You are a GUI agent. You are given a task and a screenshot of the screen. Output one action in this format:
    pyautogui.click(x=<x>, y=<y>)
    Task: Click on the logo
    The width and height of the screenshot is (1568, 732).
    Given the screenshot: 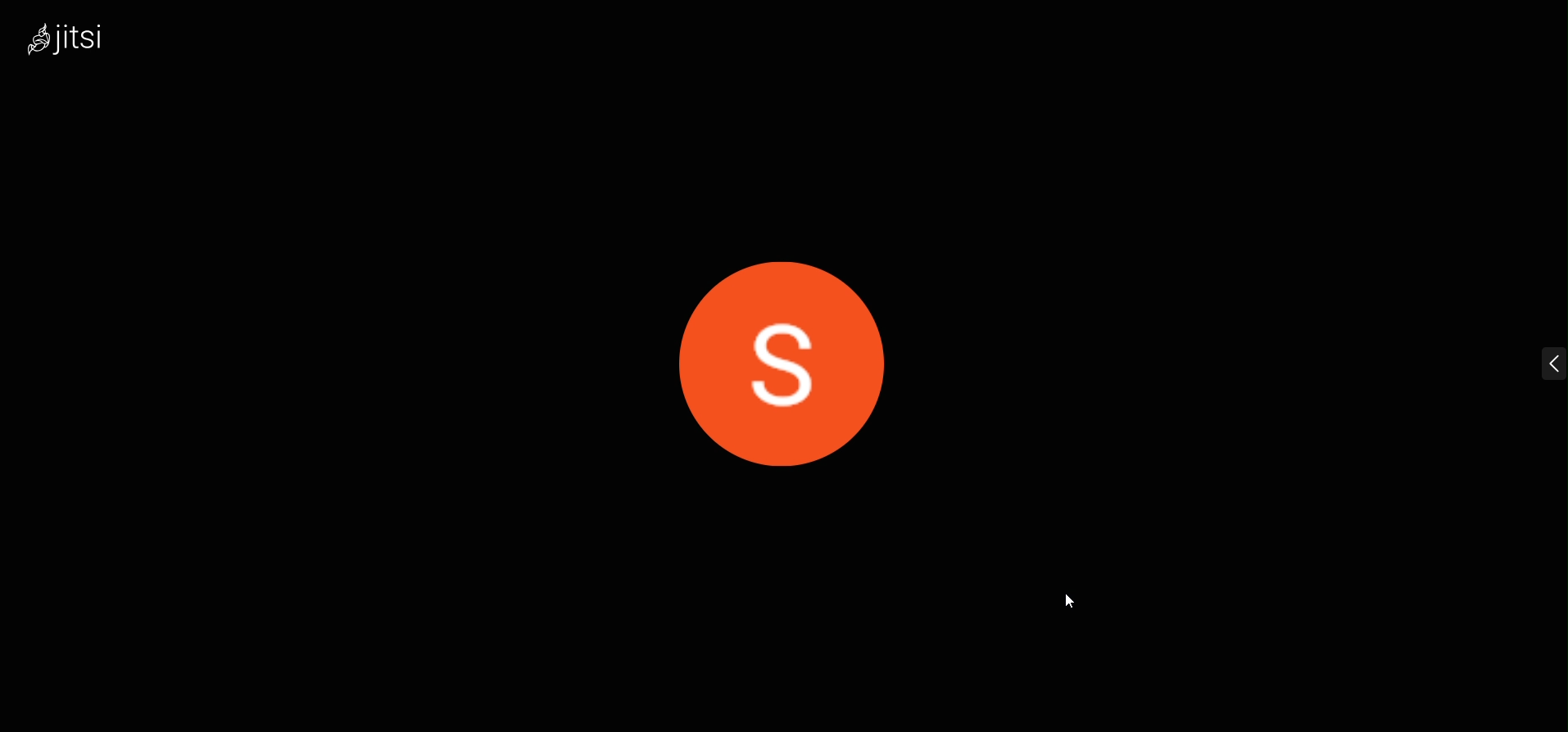 What is the action you would take?
    pyautogui.click(x=83, y=42)
    